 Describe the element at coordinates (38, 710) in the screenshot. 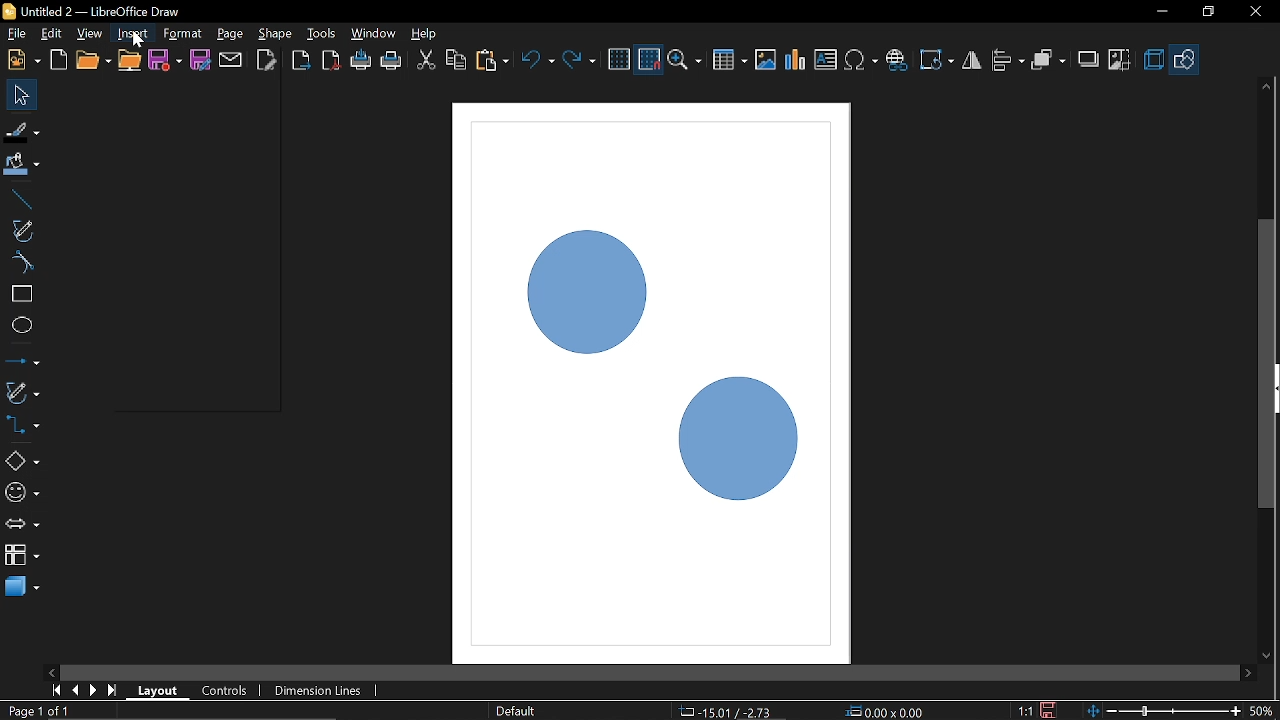

I see `Current page` at that location.